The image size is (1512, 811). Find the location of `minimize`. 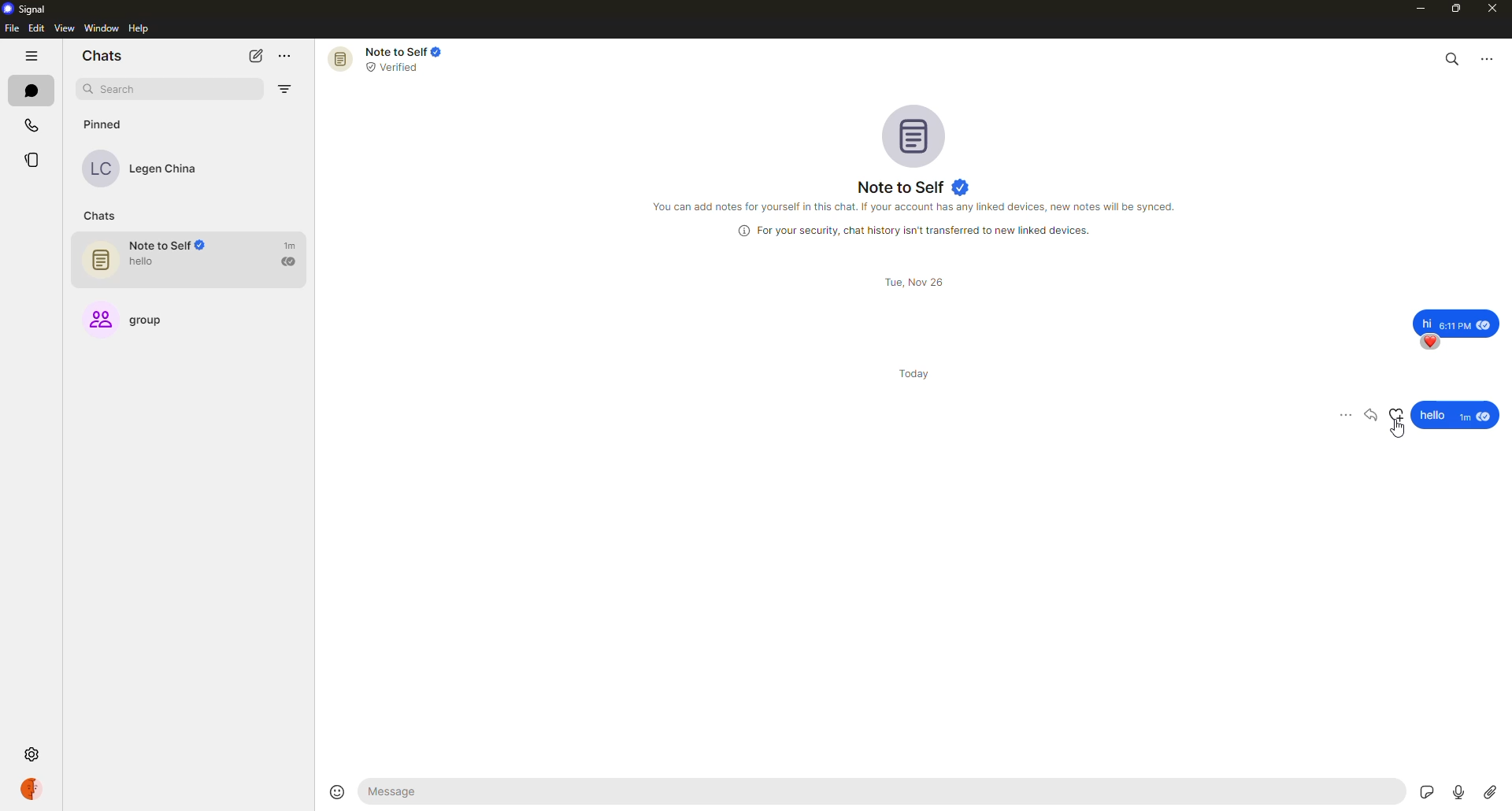

minimize is located at coordinates (1415, 8).